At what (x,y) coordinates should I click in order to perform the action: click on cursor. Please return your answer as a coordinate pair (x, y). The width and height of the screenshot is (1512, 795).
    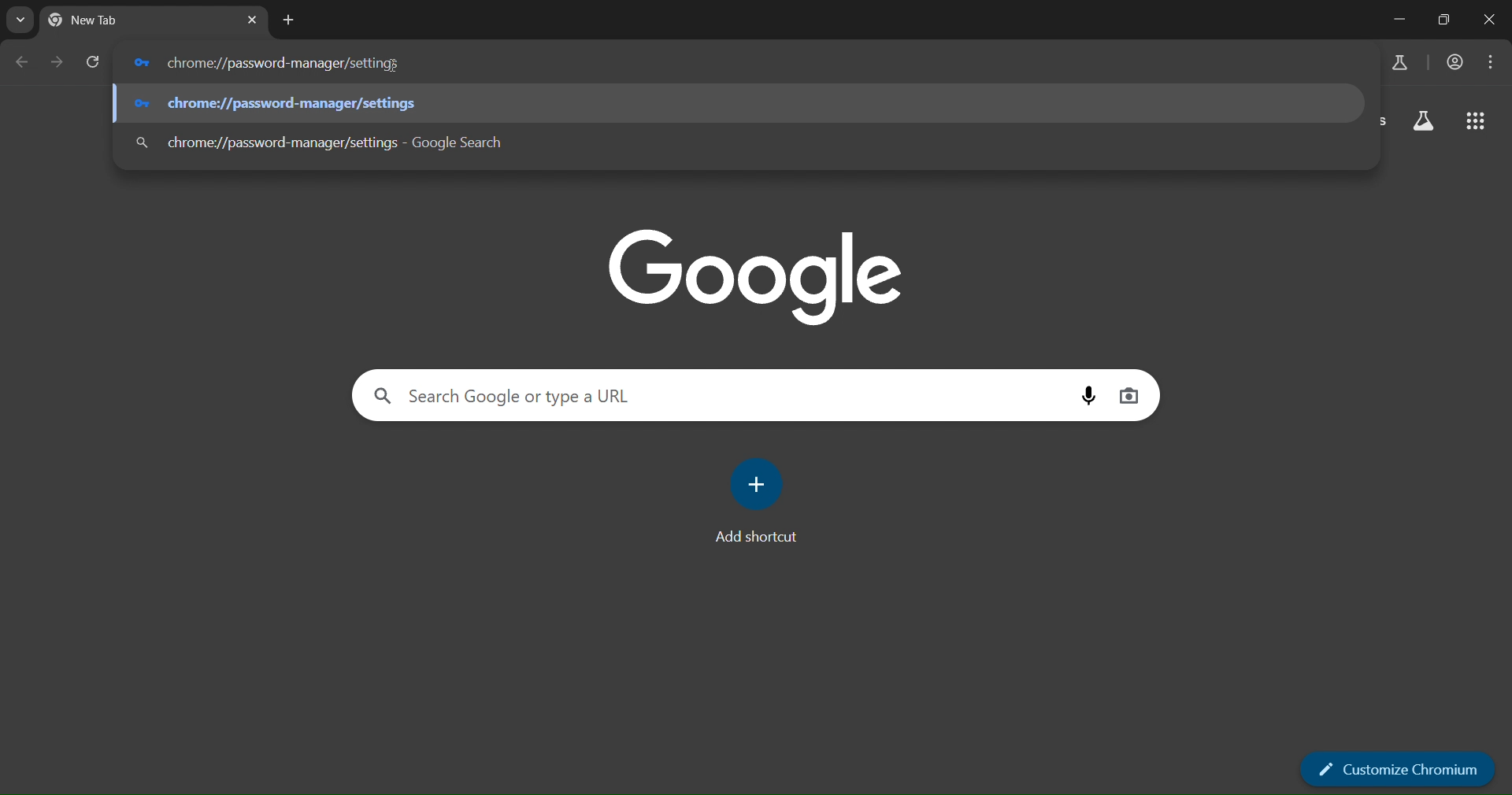
    Looking at the image, I should click on (391, 65).